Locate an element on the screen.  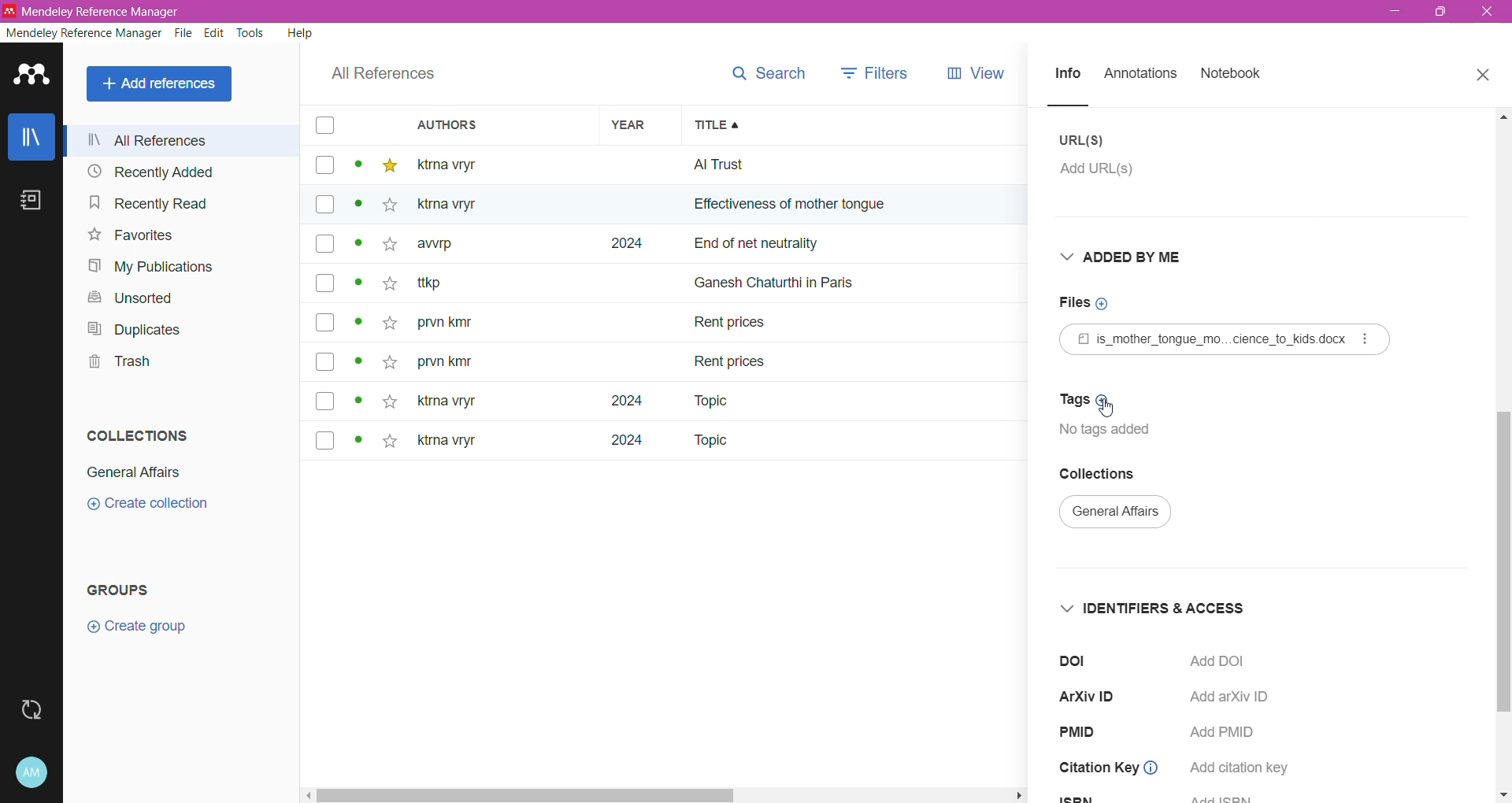
ktma vtyr is located at coordinates (458, 164).